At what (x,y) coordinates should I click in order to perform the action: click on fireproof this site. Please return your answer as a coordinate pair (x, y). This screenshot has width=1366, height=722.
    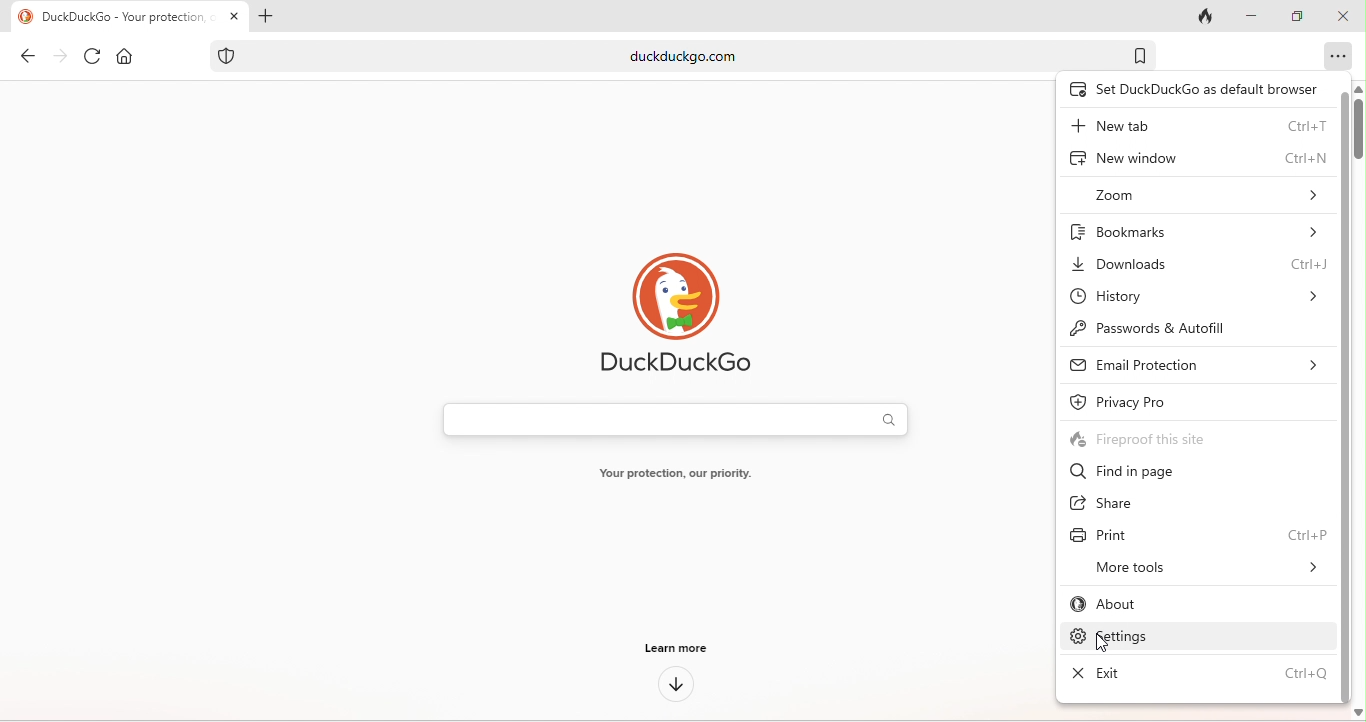
    Looking at the image, I should click on (1146, 437).